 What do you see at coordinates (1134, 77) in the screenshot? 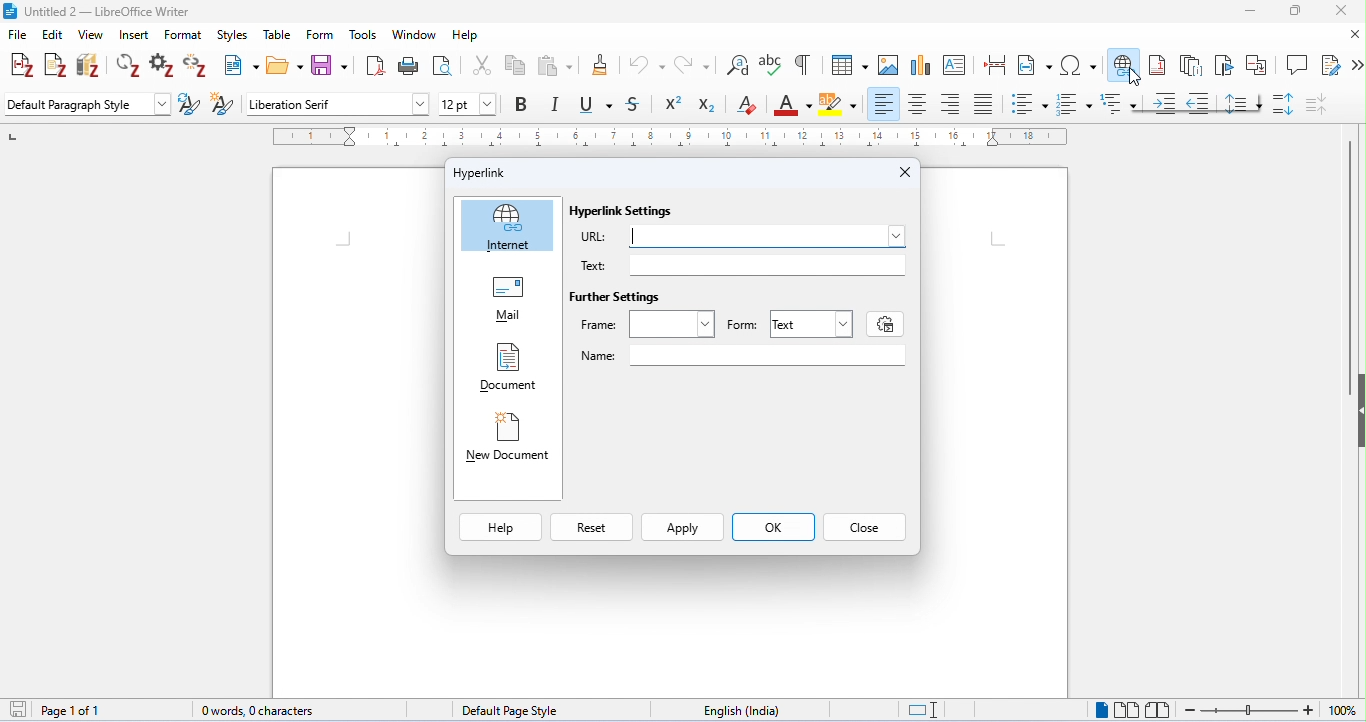
I see `cursor` at bounding box center [1134, 77].